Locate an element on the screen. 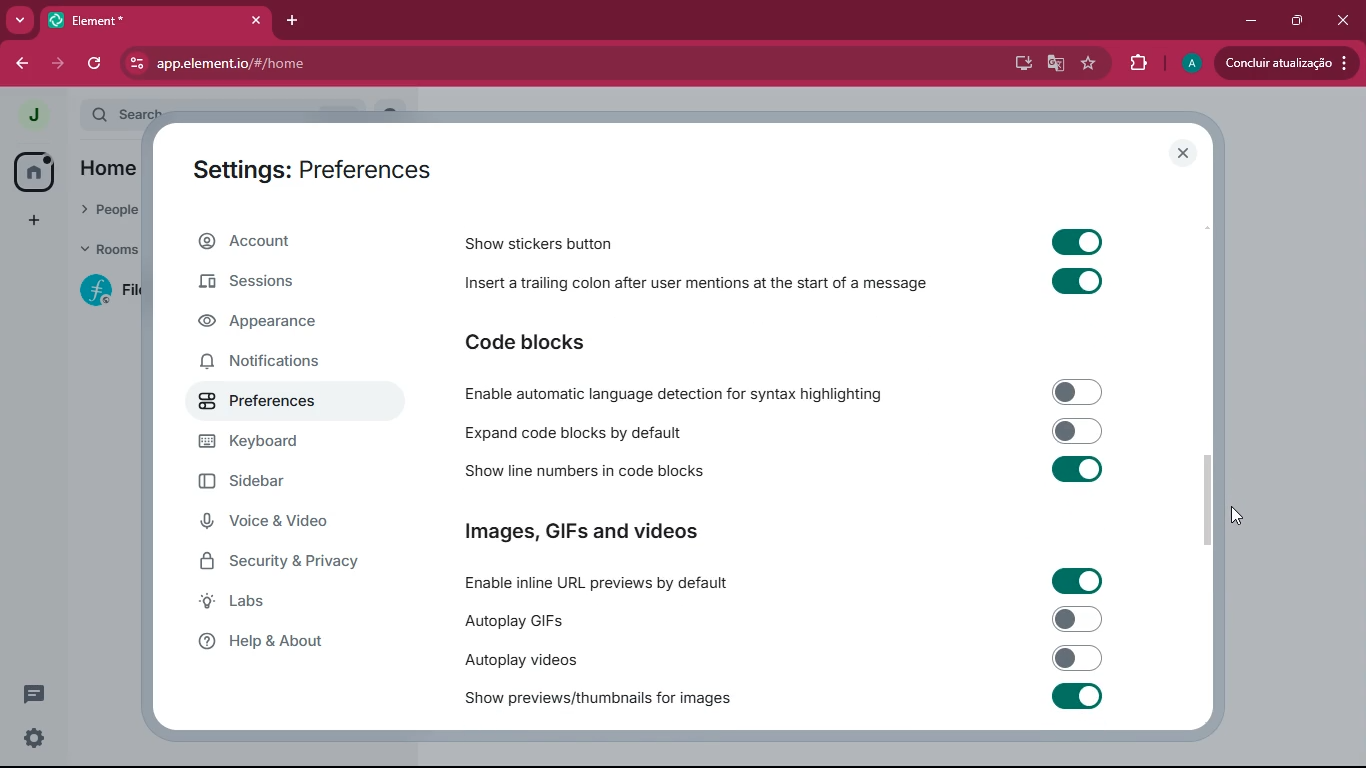   is located at coordinates (1077, 283).